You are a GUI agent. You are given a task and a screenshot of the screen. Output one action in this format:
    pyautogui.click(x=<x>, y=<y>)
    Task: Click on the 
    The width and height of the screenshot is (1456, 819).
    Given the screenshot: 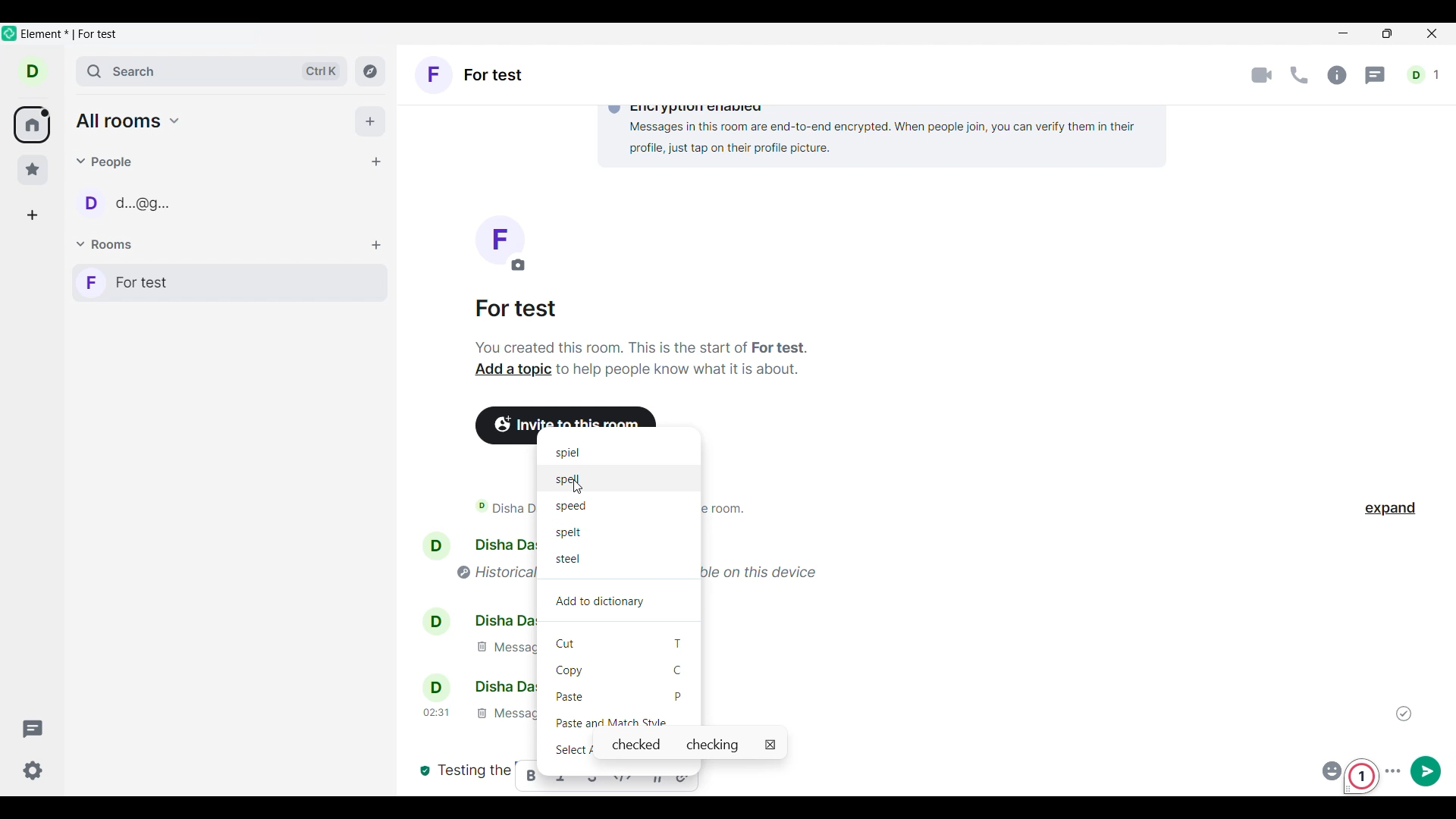 What is the action you would take?
    pyautogui.click(x=572, y=560)
    